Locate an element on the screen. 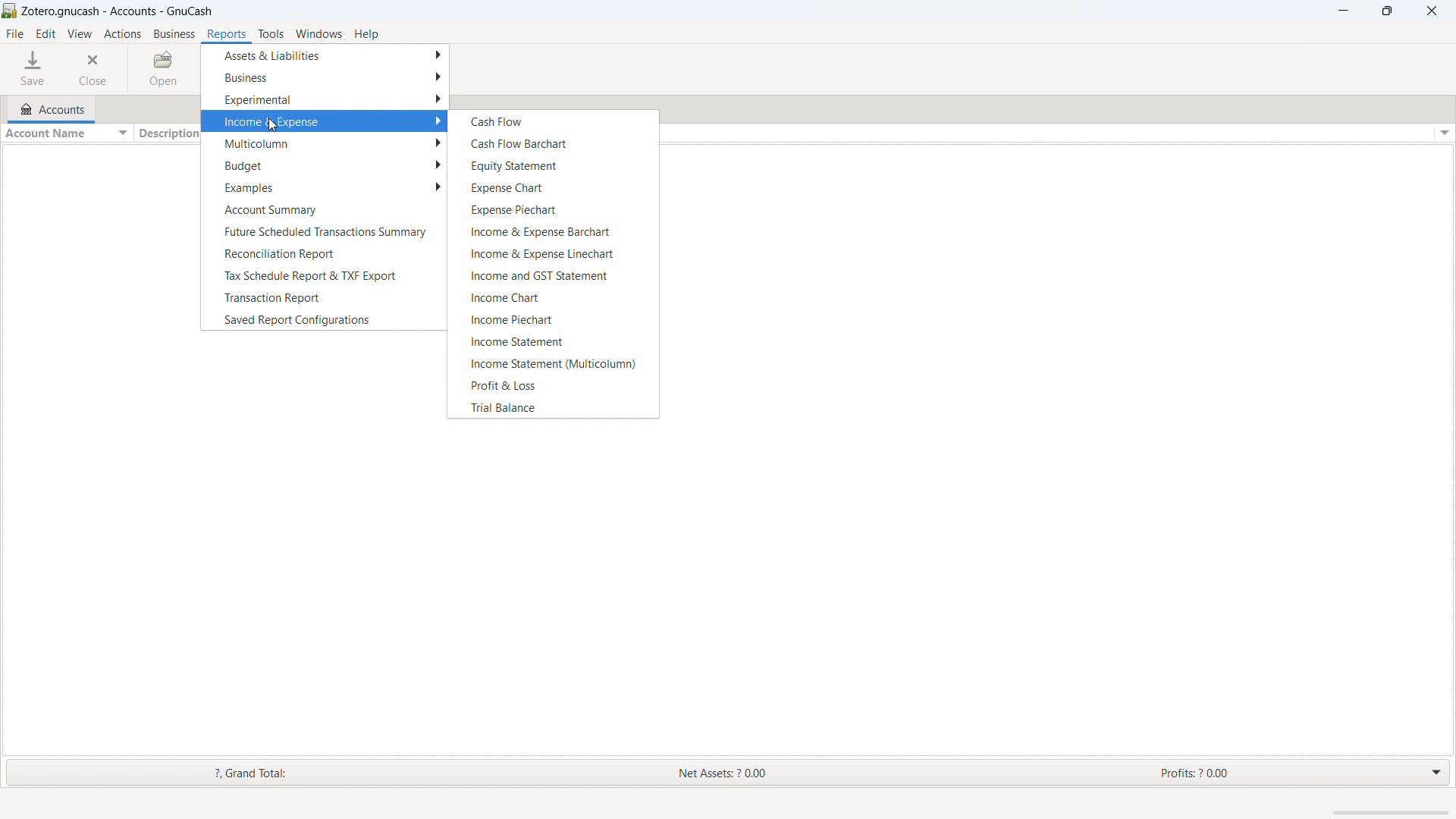 Image resolution: width=1456 pixels, height=819 pixels. title is located at coordinates (119, 12).